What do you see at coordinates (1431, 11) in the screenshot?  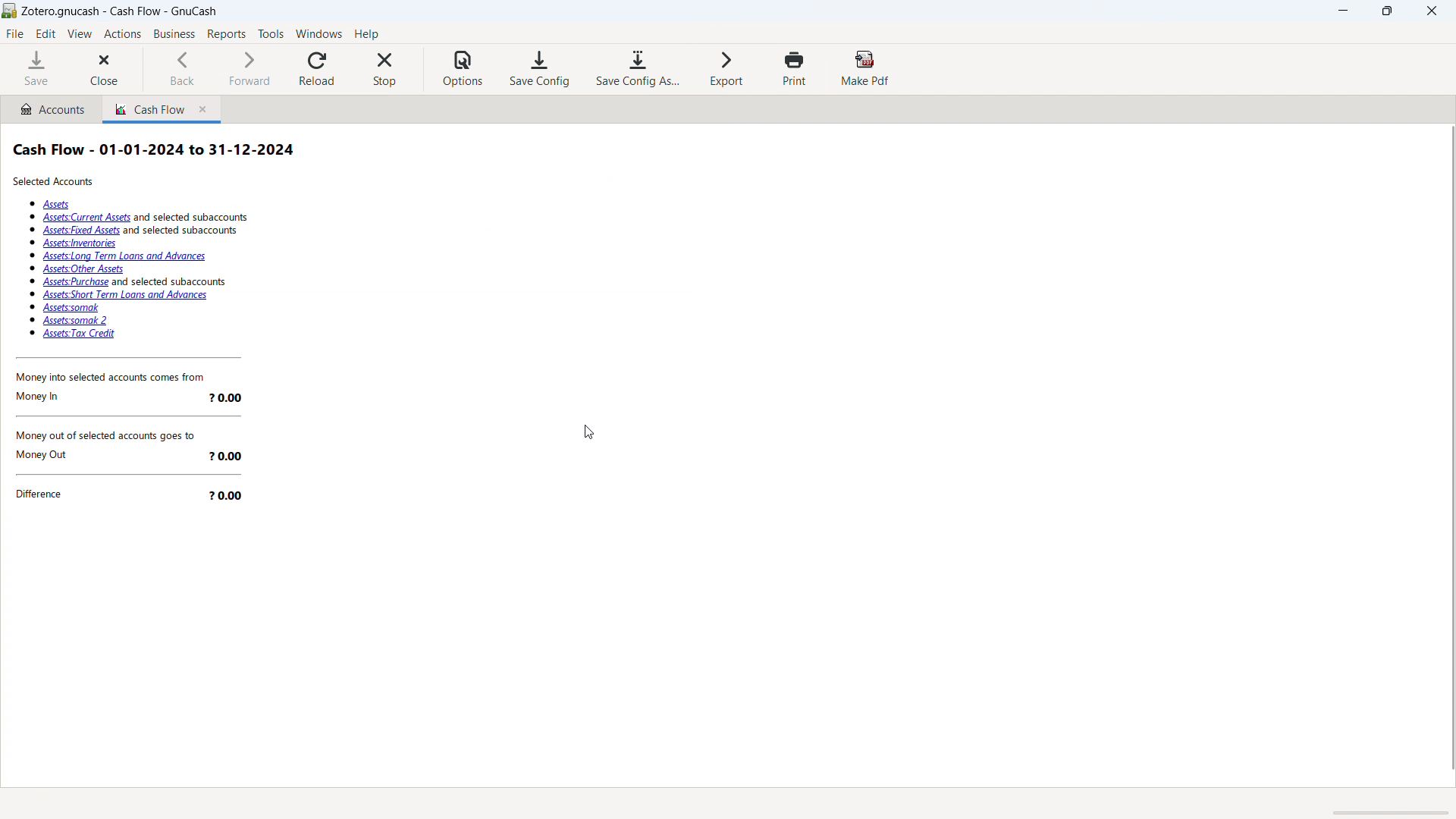 I see `close` at bounding box center [1431, 11].